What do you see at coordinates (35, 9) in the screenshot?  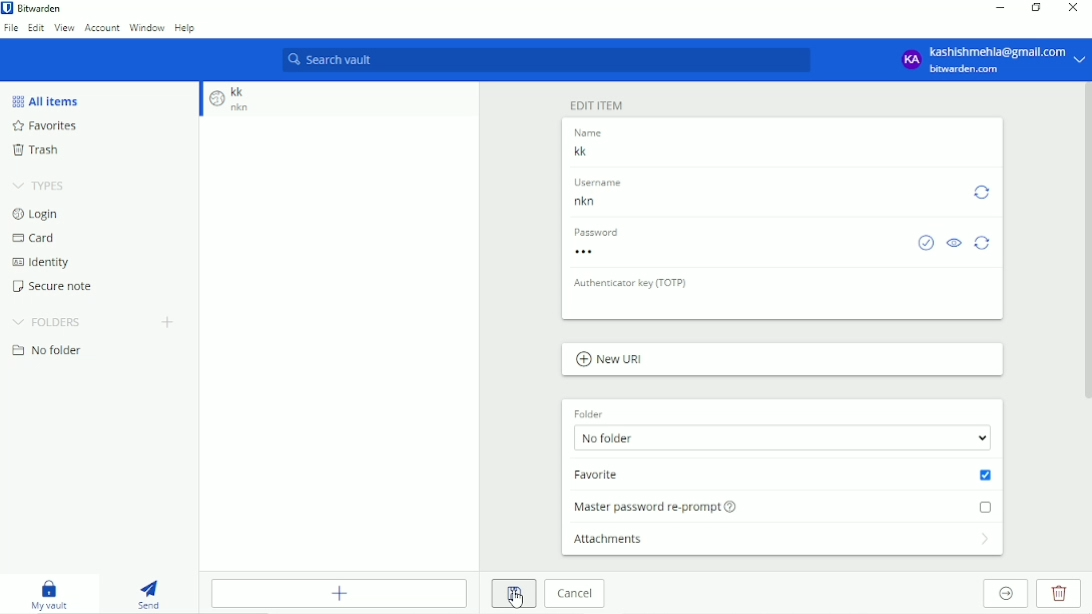 I see `Bitwarden` at bounding box center [35, 9].